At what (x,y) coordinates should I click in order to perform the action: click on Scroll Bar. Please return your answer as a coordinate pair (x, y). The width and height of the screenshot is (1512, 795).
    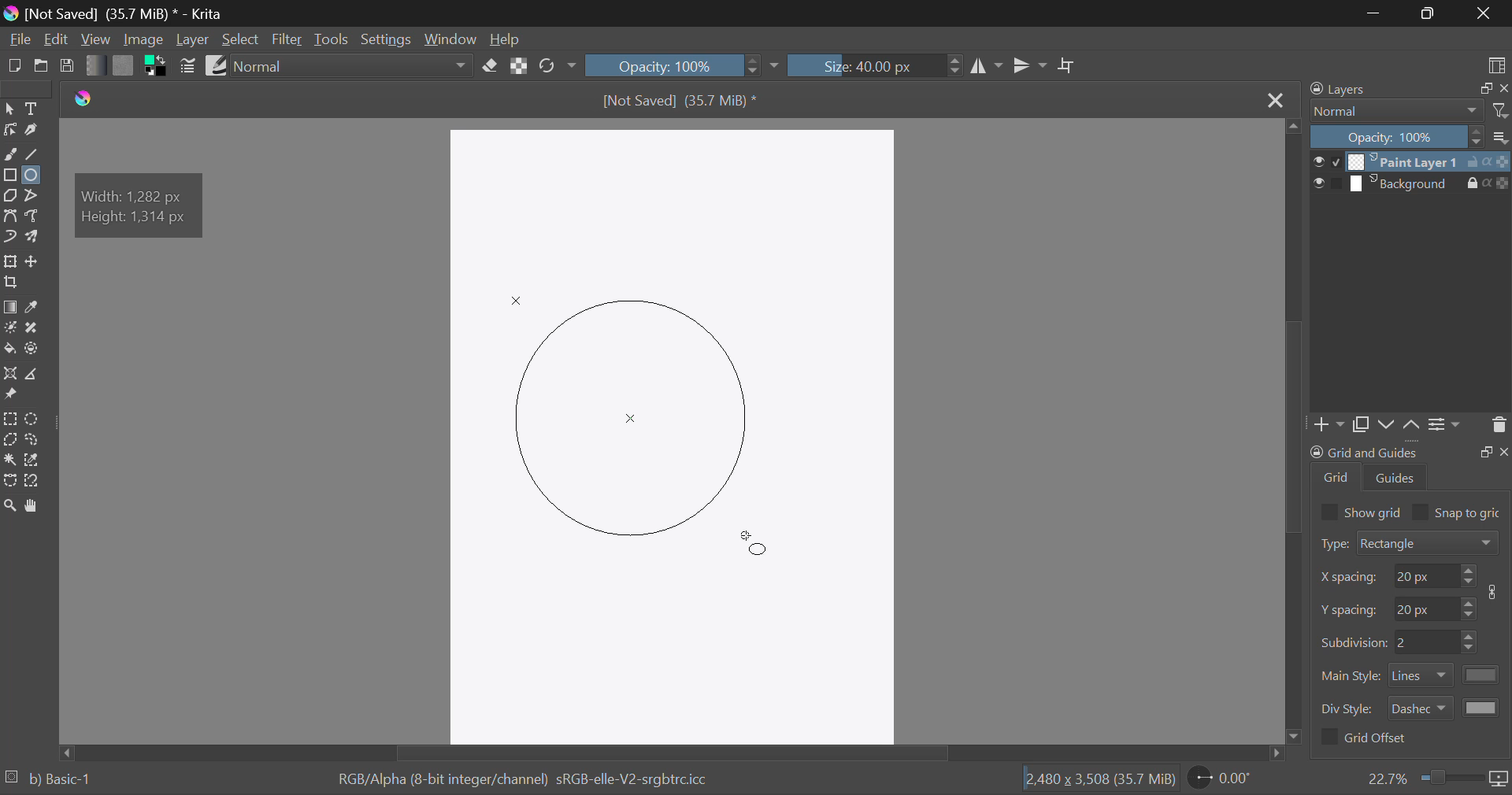
    Looking at the image, I should click on (662, 752).